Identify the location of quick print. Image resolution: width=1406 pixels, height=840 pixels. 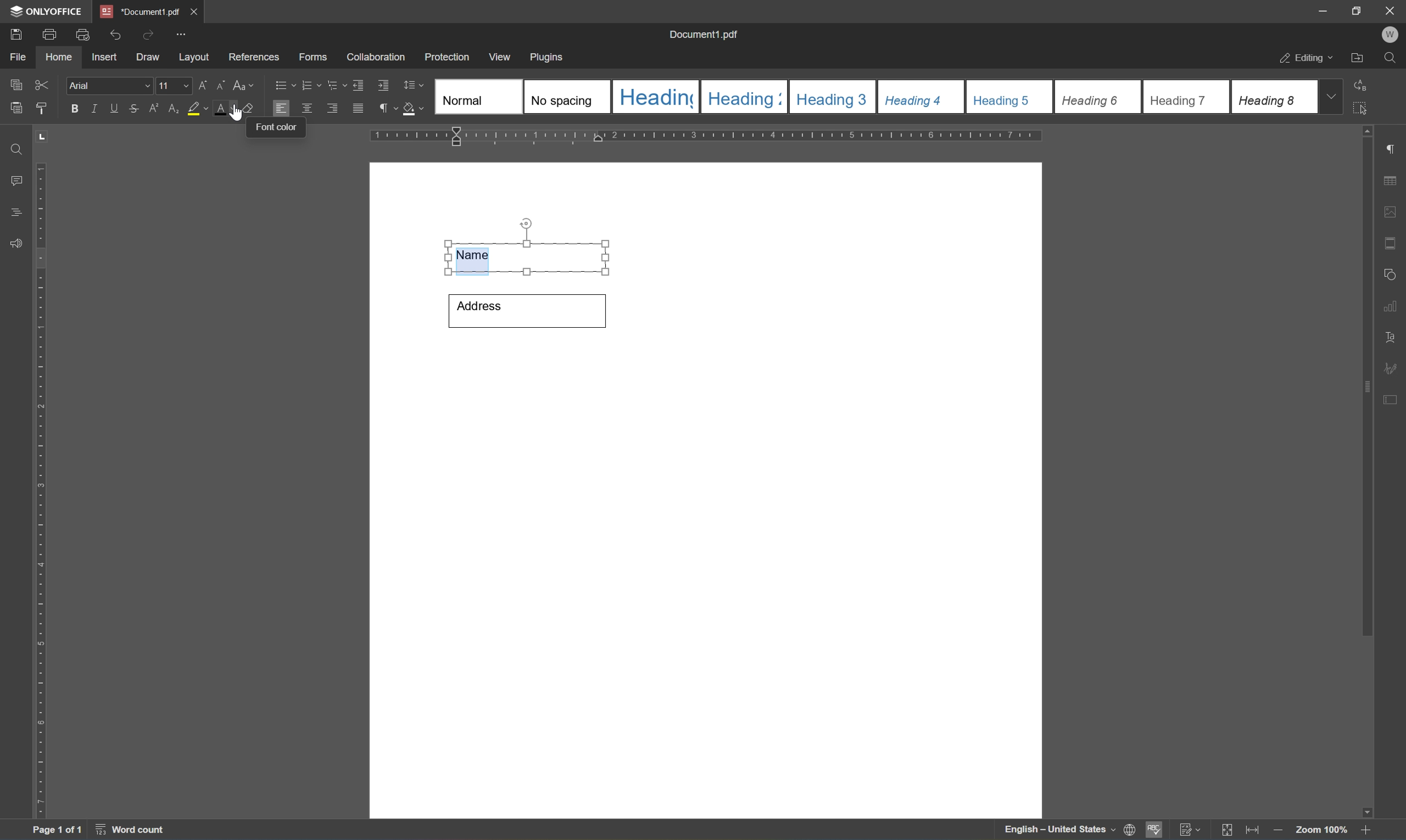
(80, 33).